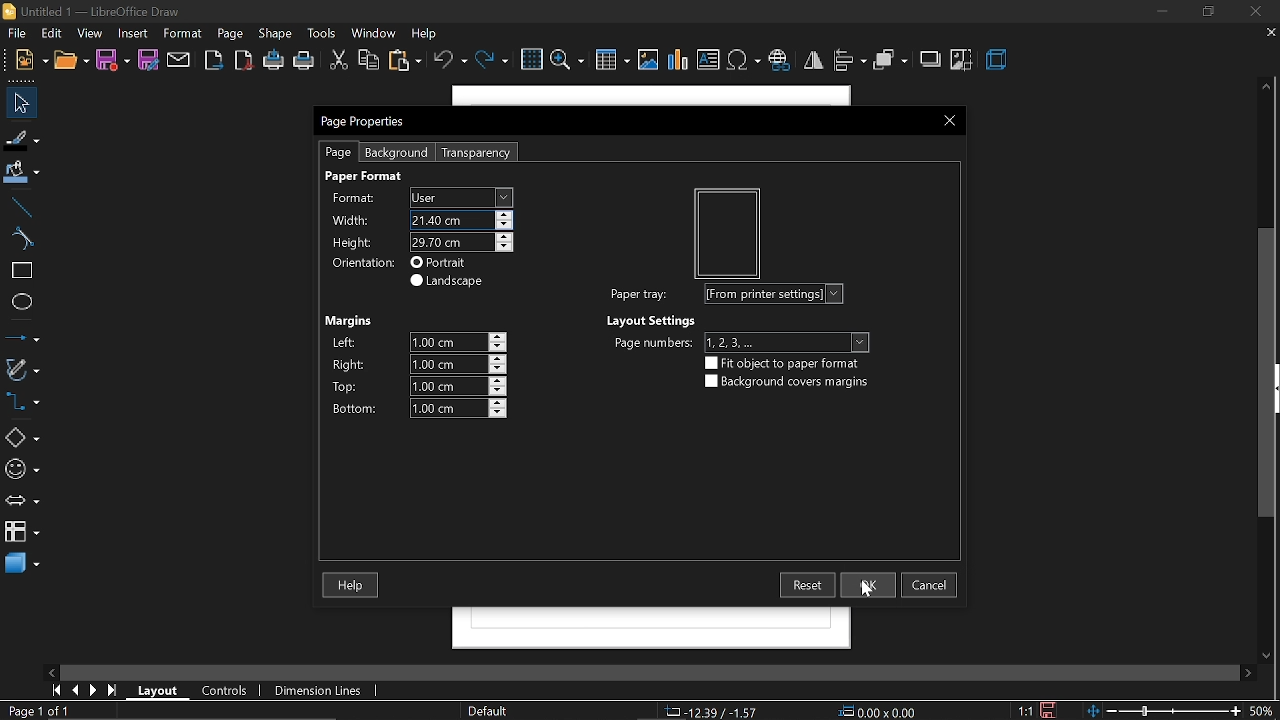  Describe the element at coordinates (447, 282) in the screenshot. I see `landscape` at that location.